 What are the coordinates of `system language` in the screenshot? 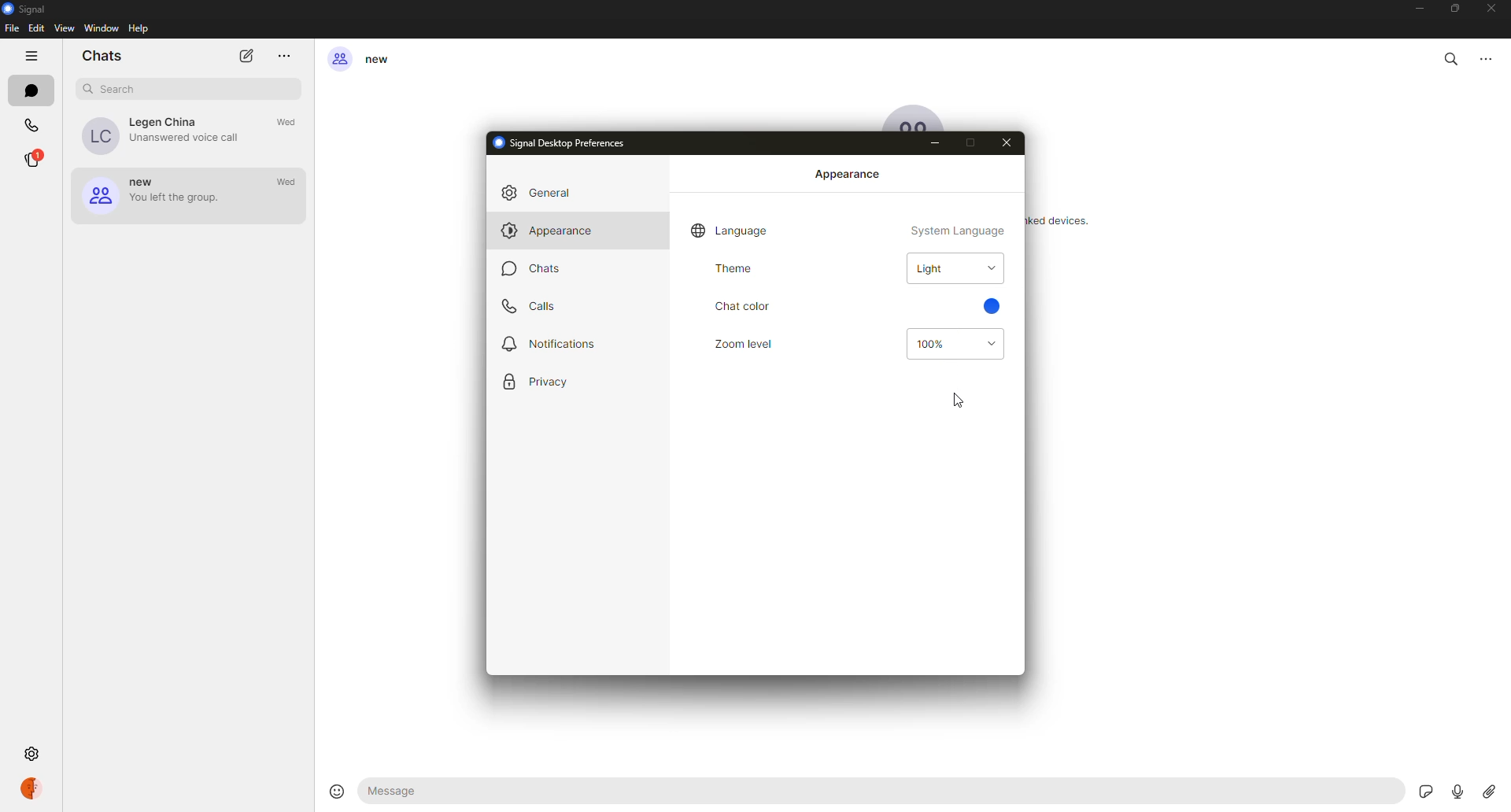 It's located at (957, 233).